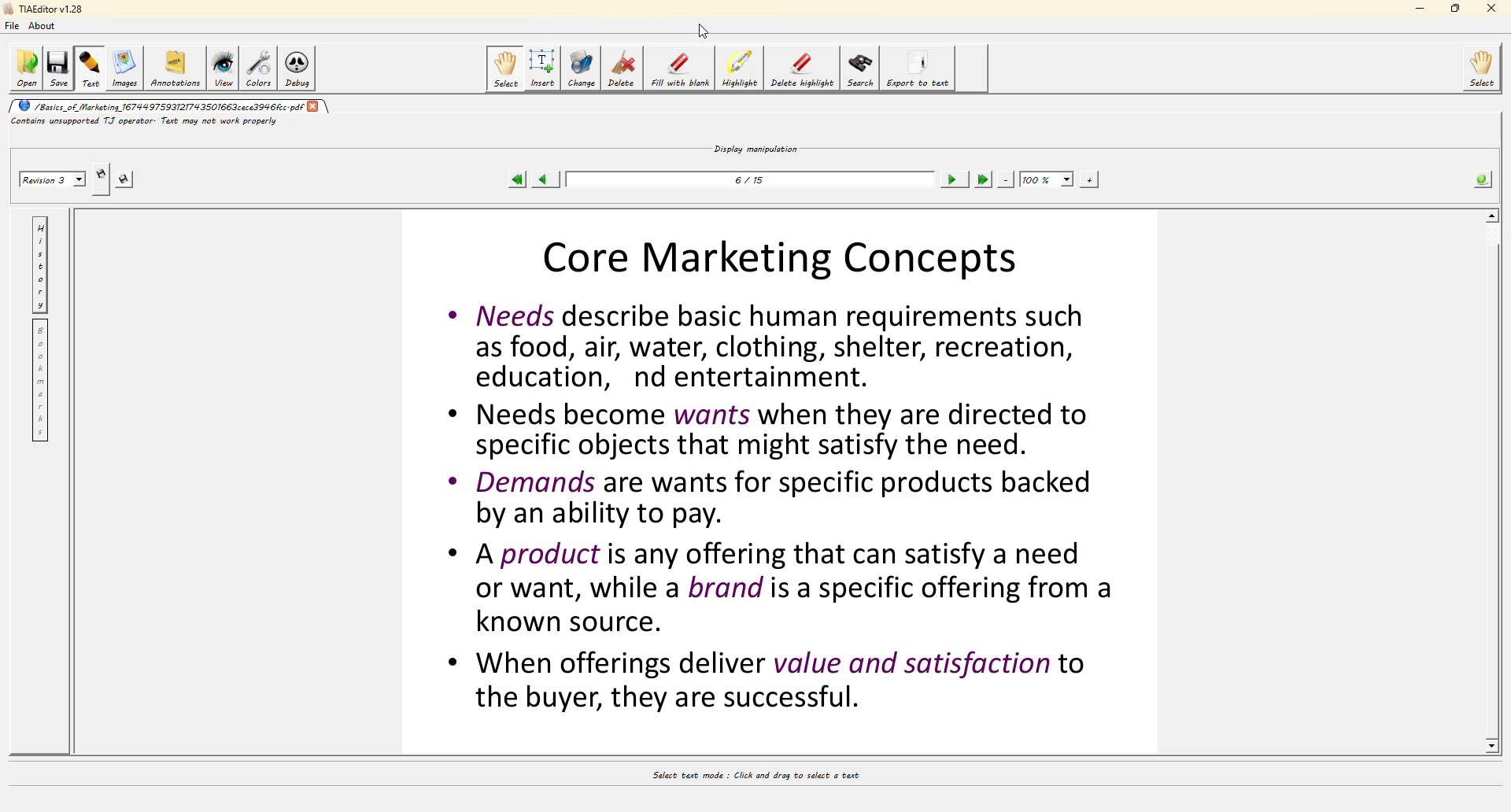  I want to click on create new revision, so click(102, 172).